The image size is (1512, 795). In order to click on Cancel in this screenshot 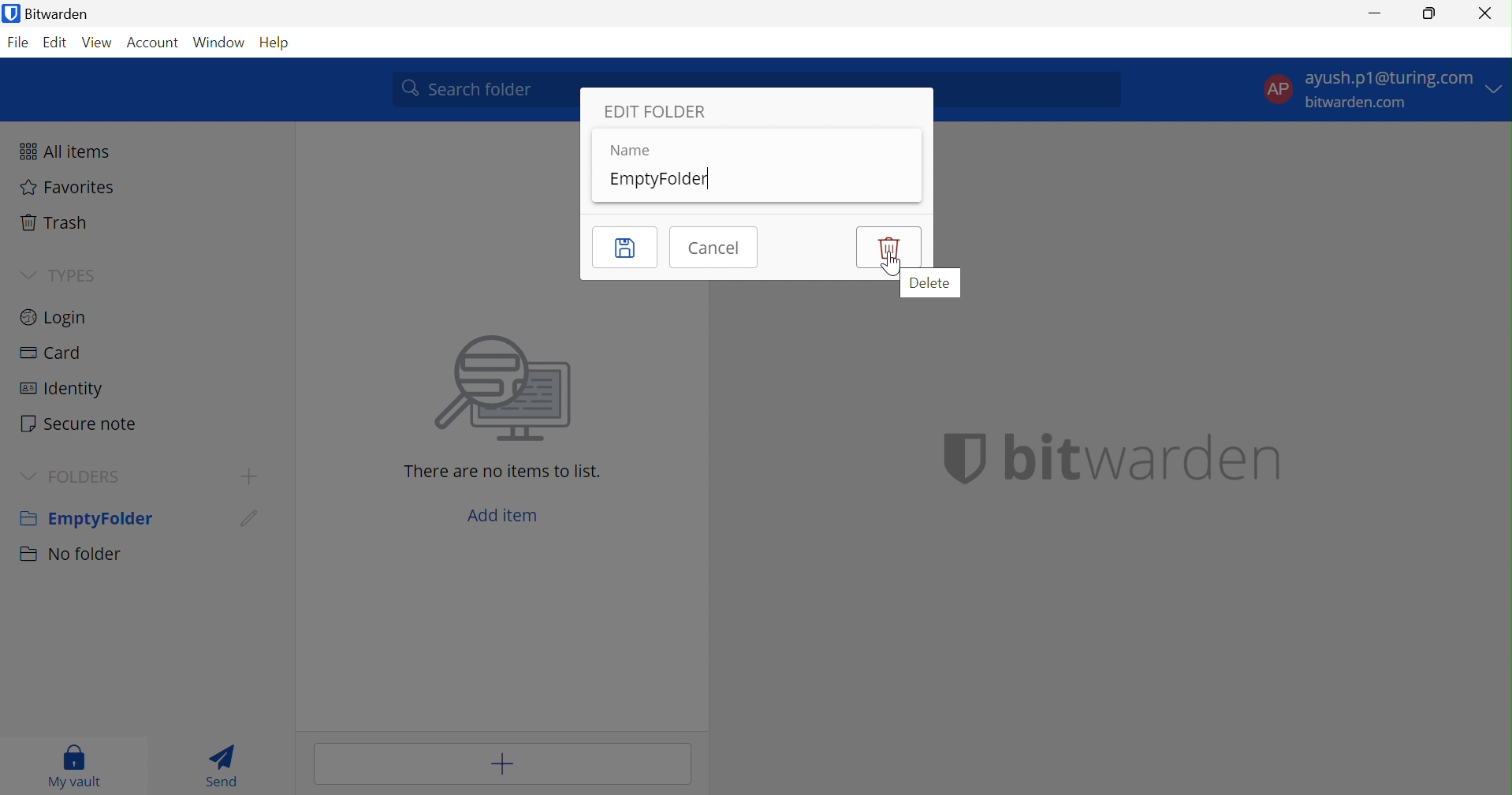, I will do `click(715, 246)`.